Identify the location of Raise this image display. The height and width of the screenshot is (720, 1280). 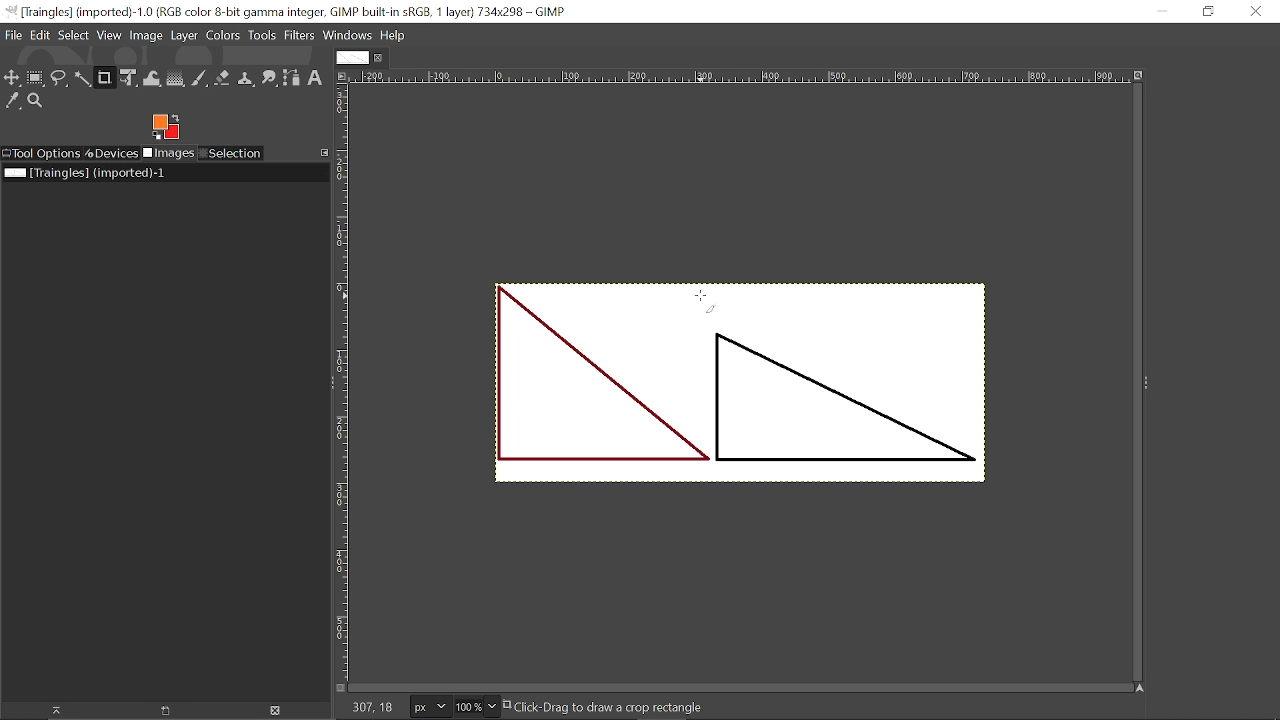
(54, 710).